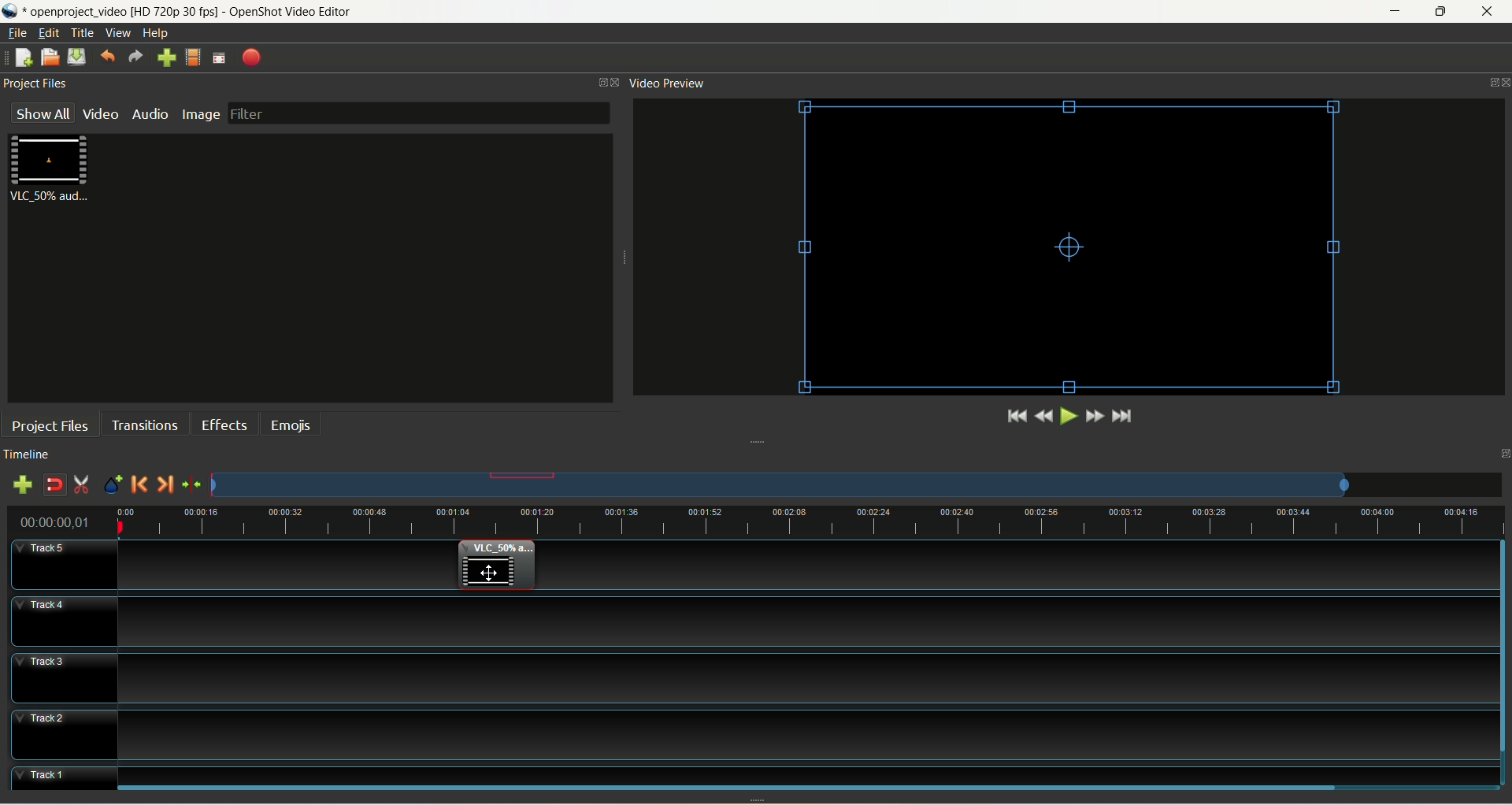 The height and width of the screenshot is (805, 1512). What do you see at coordinates (101, 116) in the screenshot?
I see `video` at bounding box center [101, 116].